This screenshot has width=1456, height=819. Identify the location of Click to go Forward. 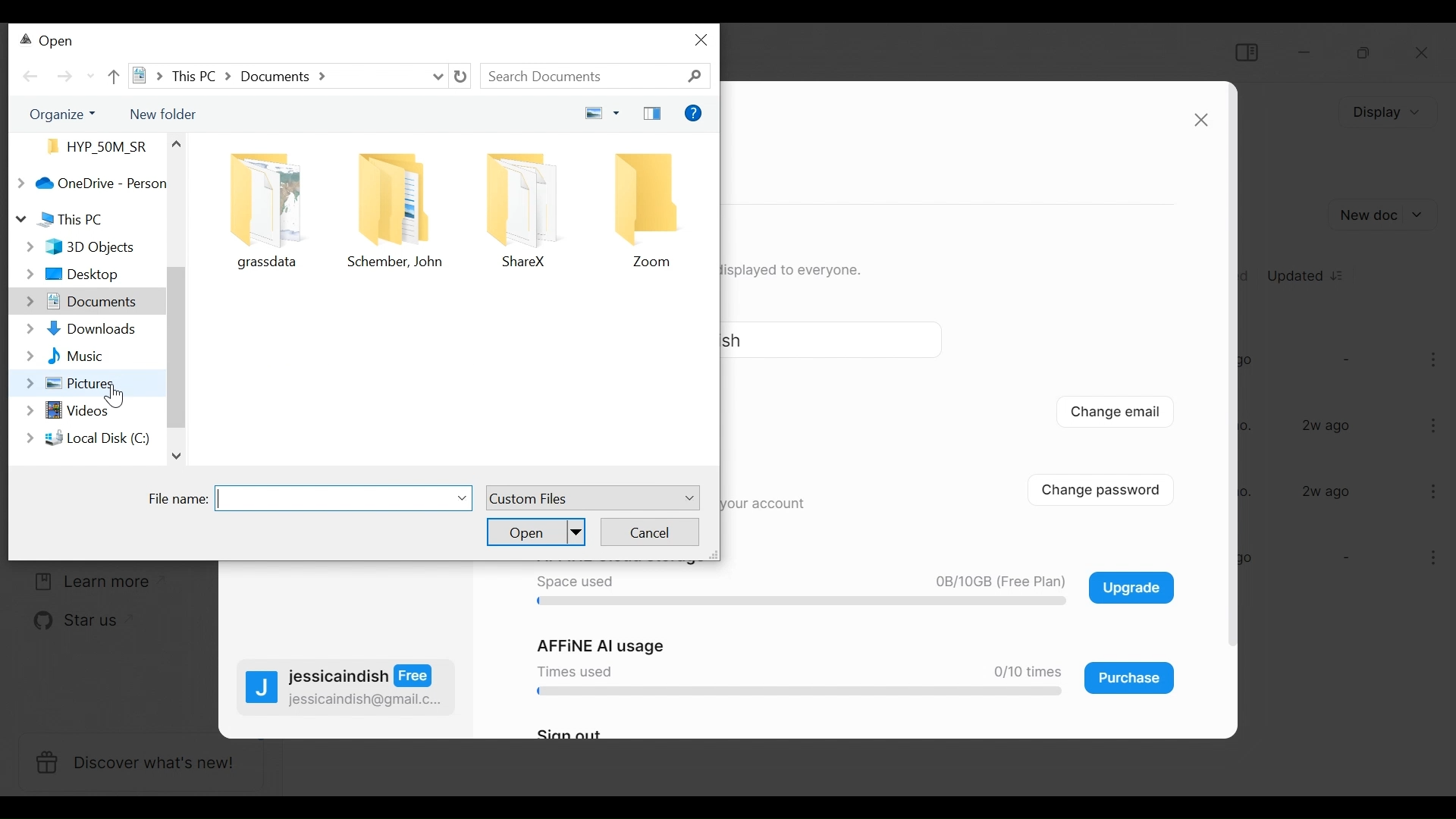
(64, 77).